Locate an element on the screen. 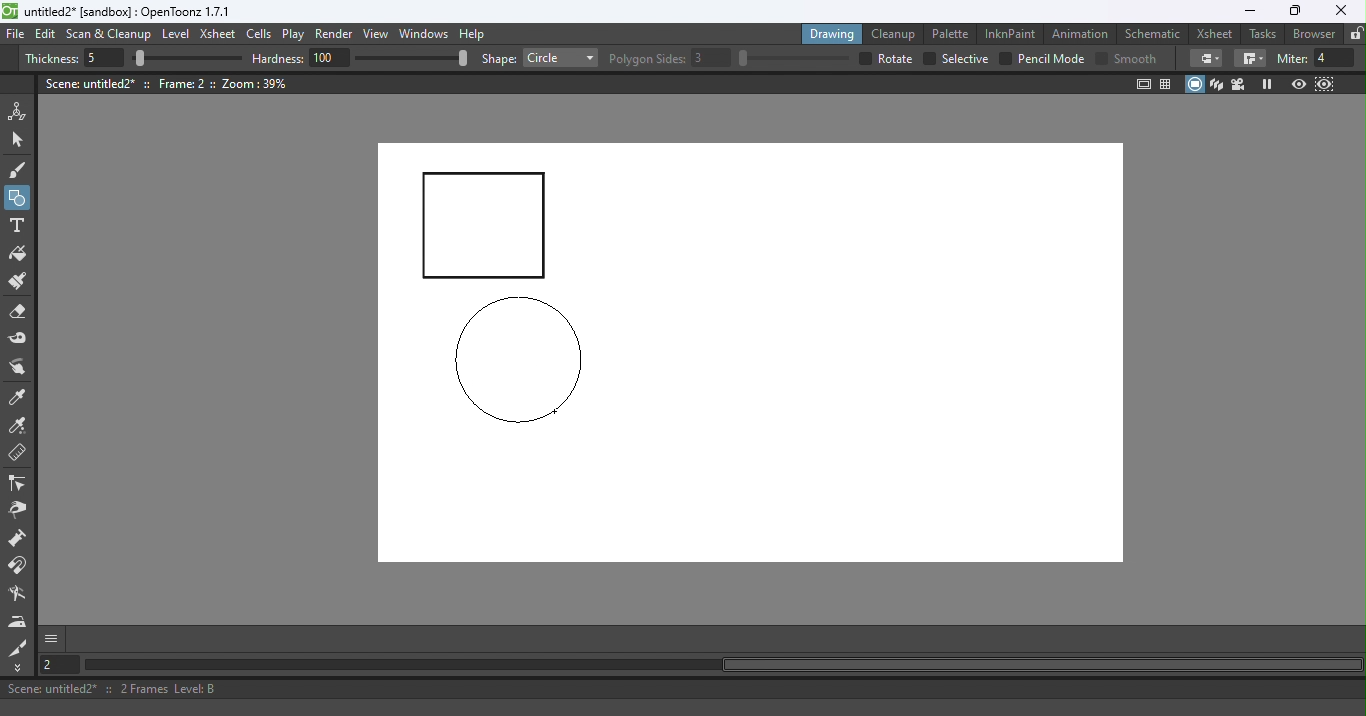  Ruler tool is located at coordinates (18, 455).